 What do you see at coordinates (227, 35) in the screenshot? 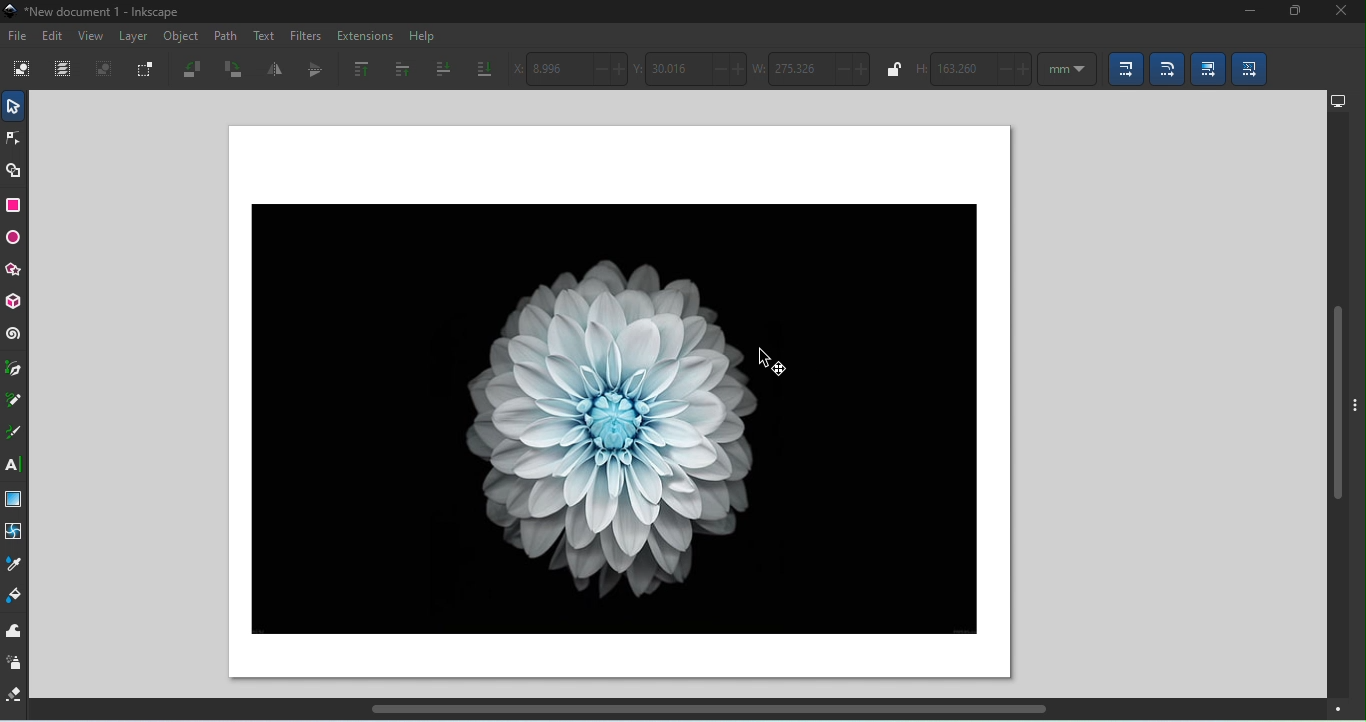
I see `Path` at bounding box center [227, 35].